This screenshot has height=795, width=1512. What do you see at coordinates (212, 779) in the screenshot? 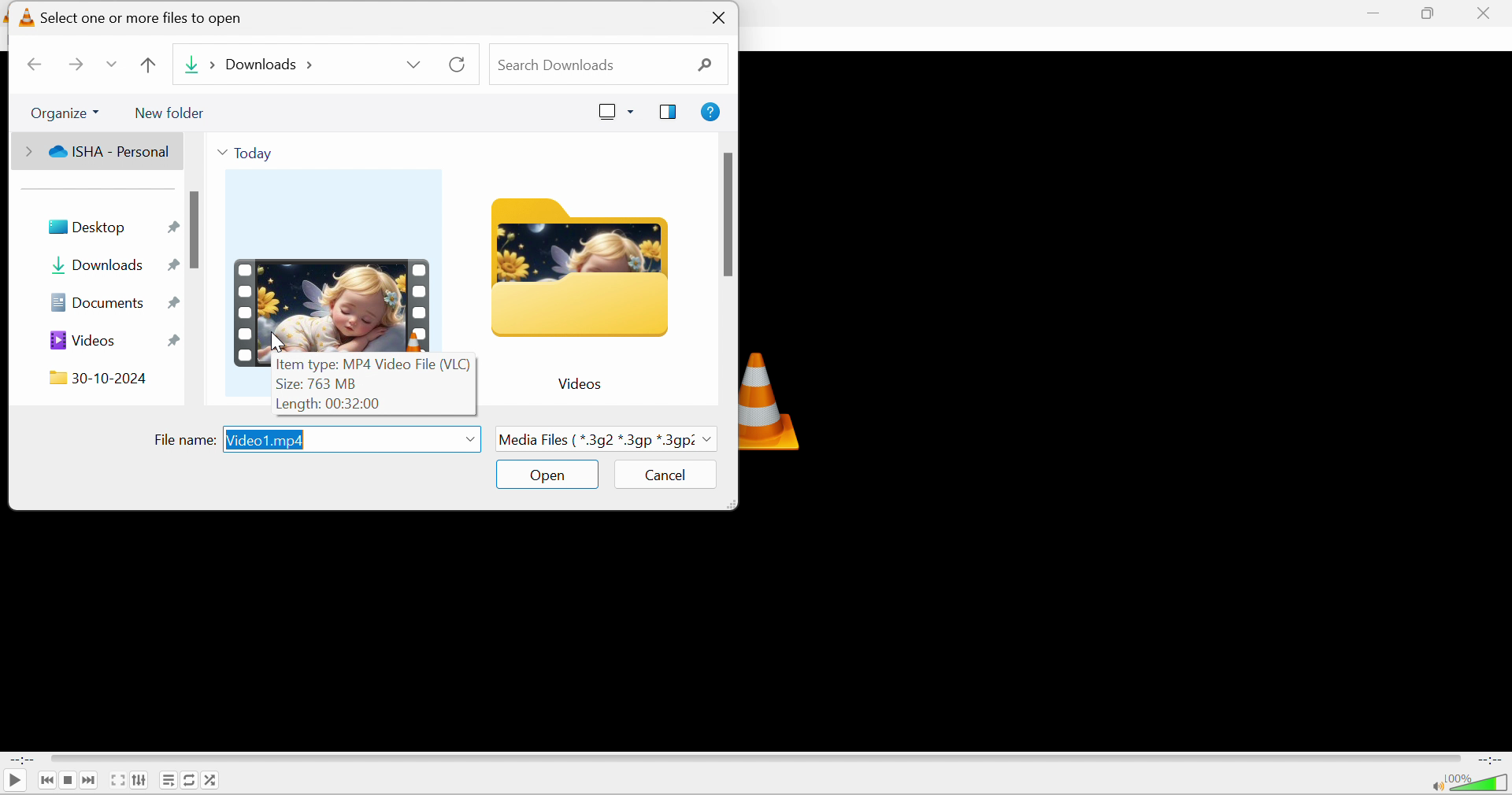
I see `Random` at bounding box center [212, 779].